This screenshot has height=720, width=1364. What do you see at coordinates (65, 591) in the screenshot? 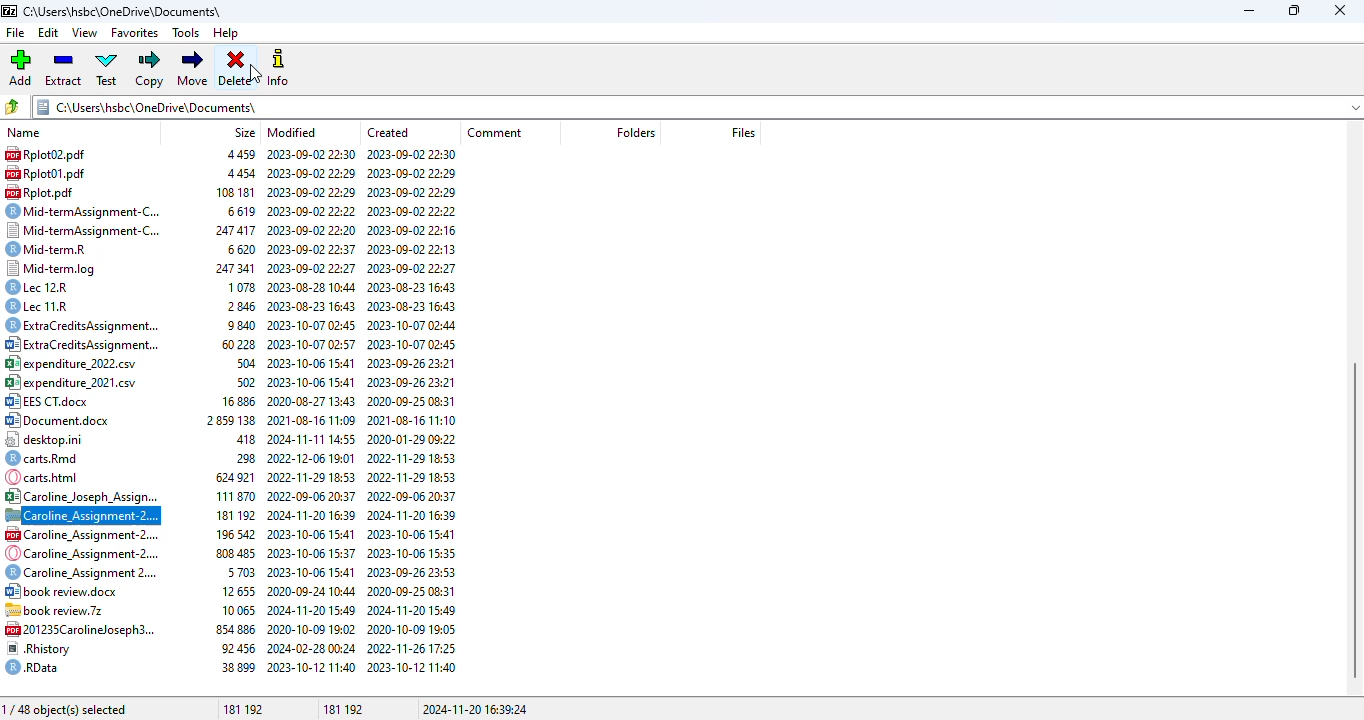
I see ` book review.docx` at bounding box center [65, 591].